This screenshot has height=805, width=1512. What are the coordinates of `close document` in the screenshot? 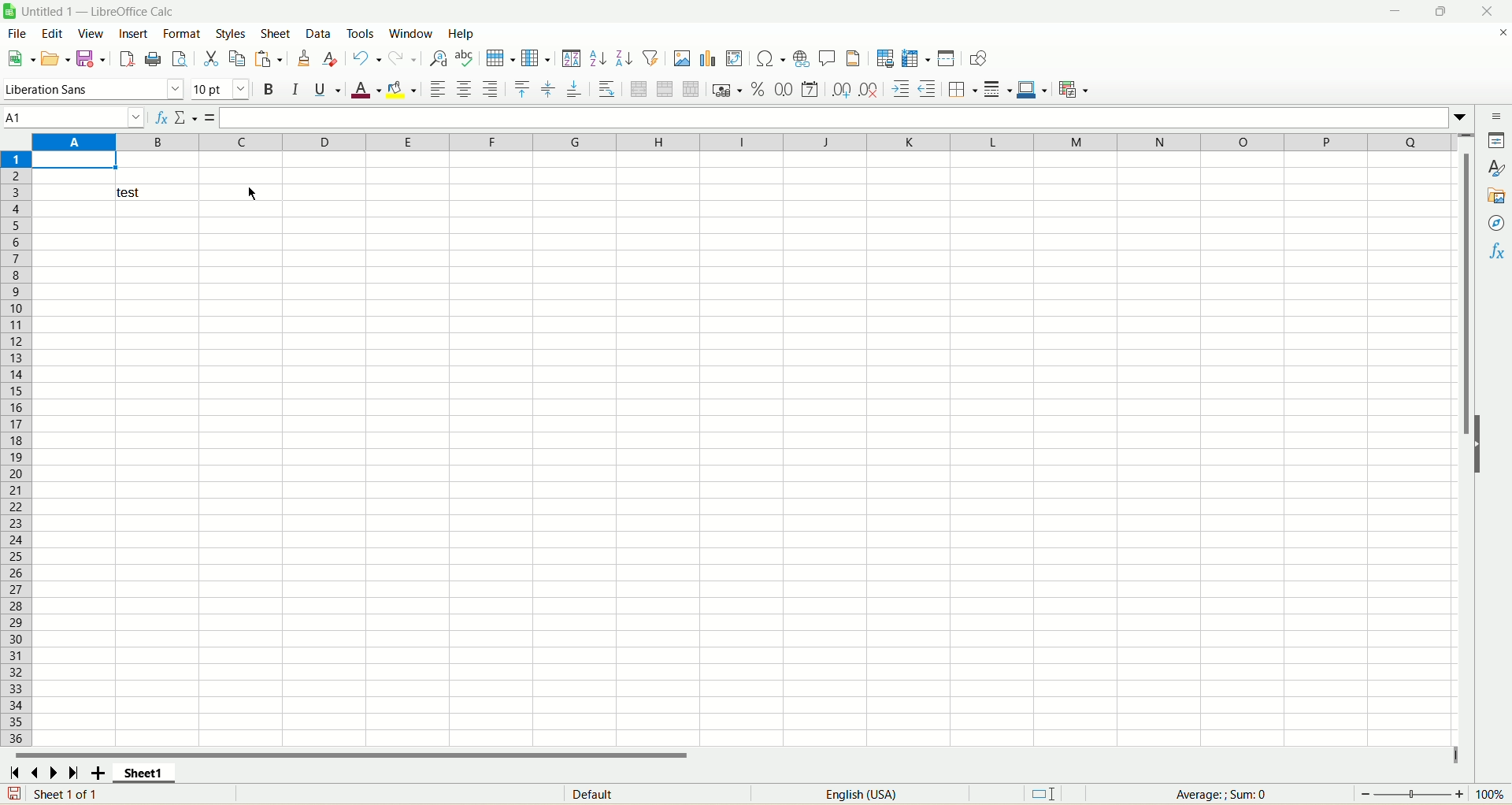 It's located at (1501, 33).